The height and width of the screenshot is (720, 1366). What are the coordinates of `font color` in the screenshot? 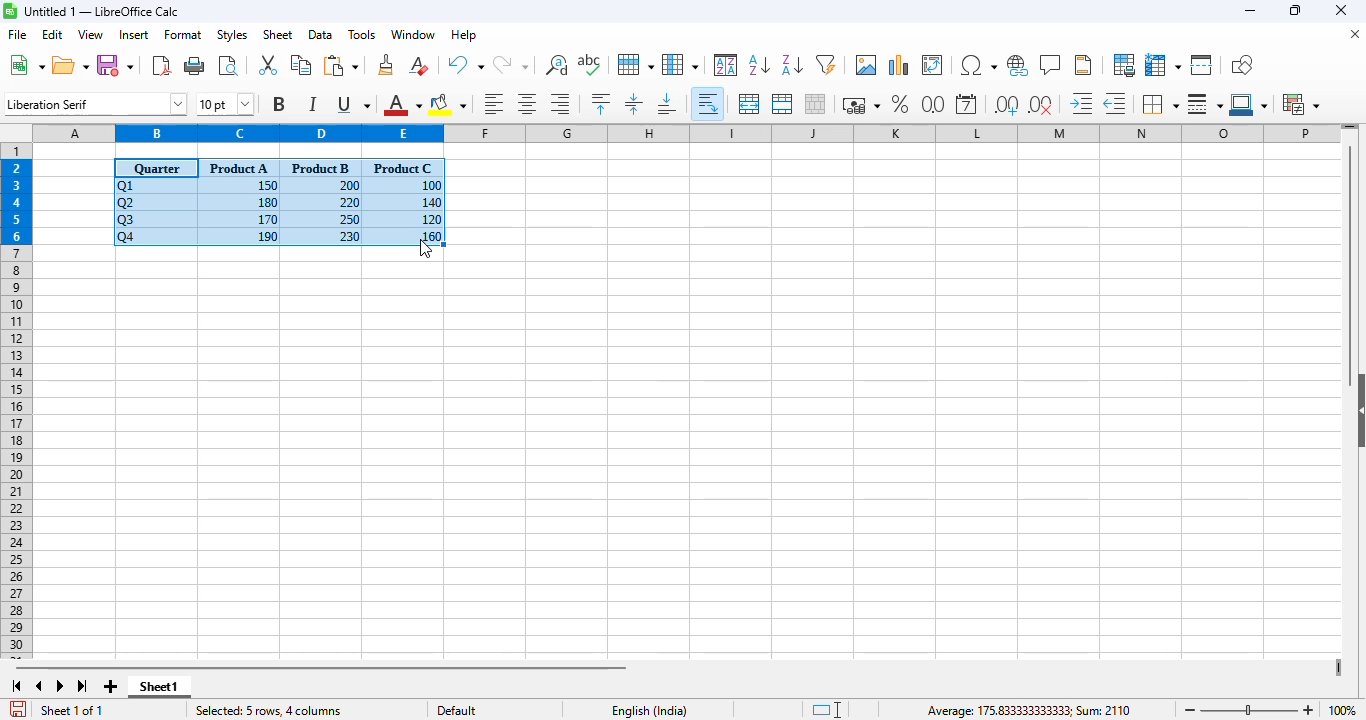 It's located at (402, 104).